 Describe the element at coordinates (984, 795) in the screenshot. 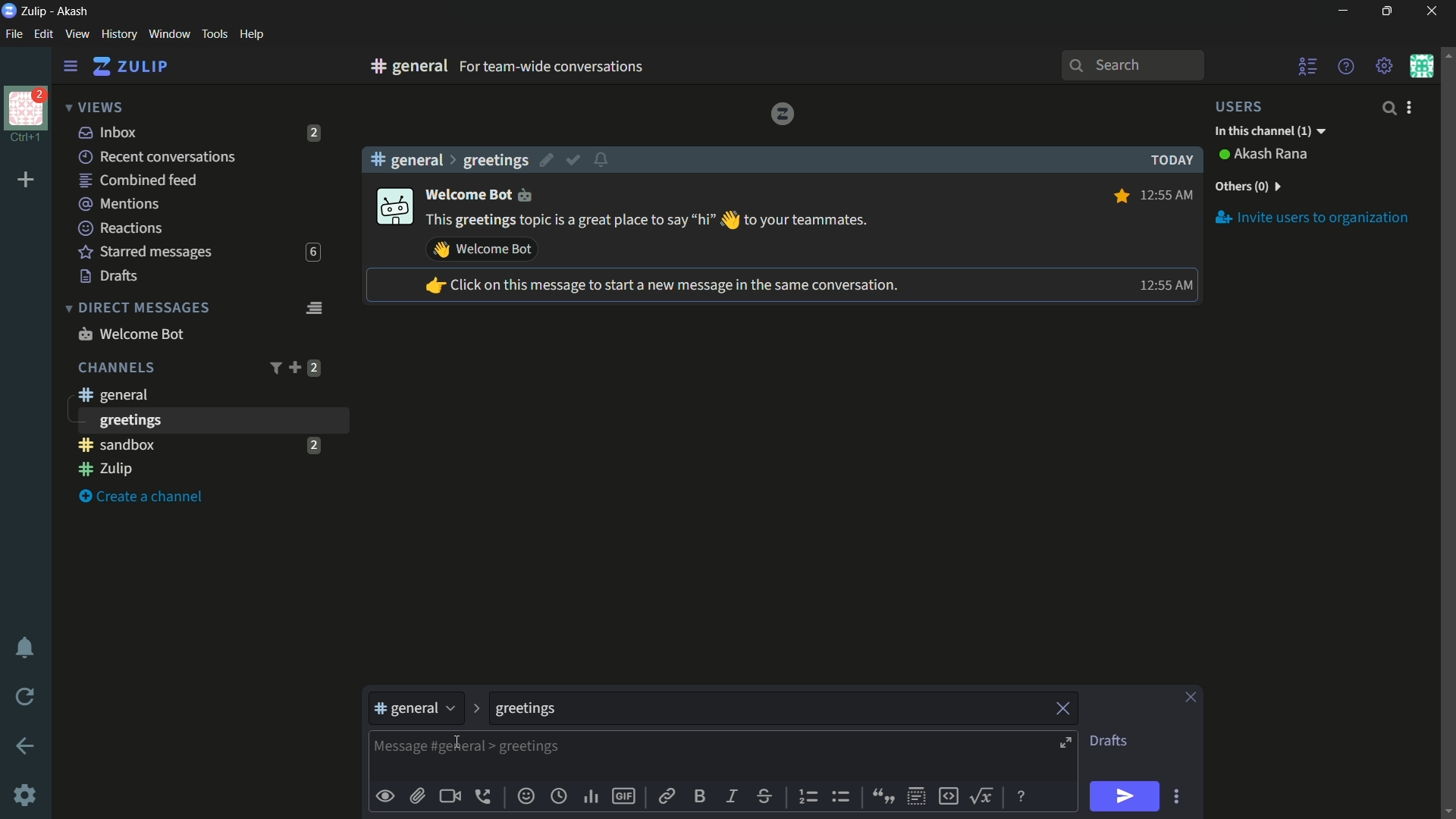

I see `maths` at that location.